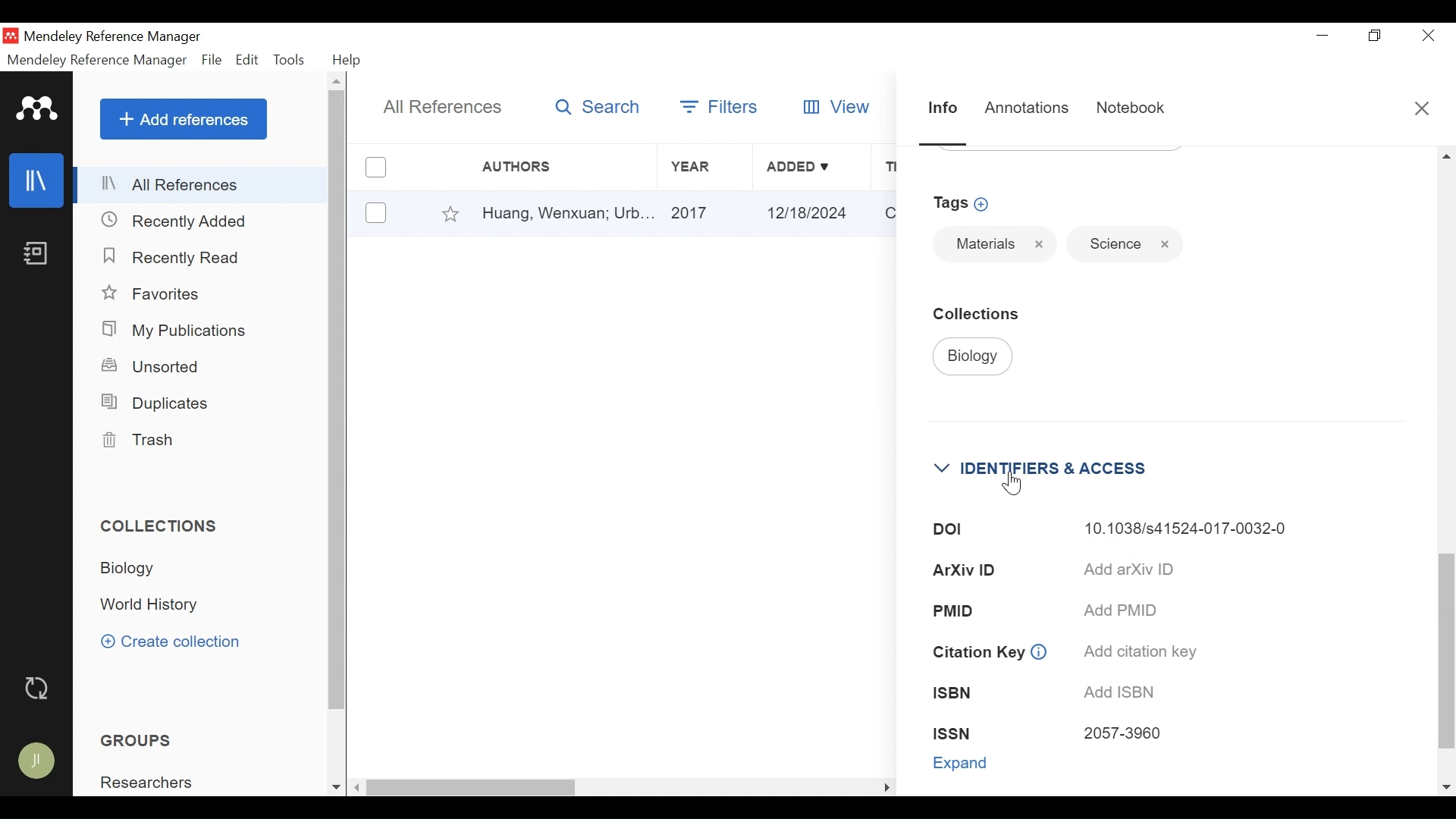 This screenshot has height=819, width=1456. I want to click on Science, so click(1109, 244).